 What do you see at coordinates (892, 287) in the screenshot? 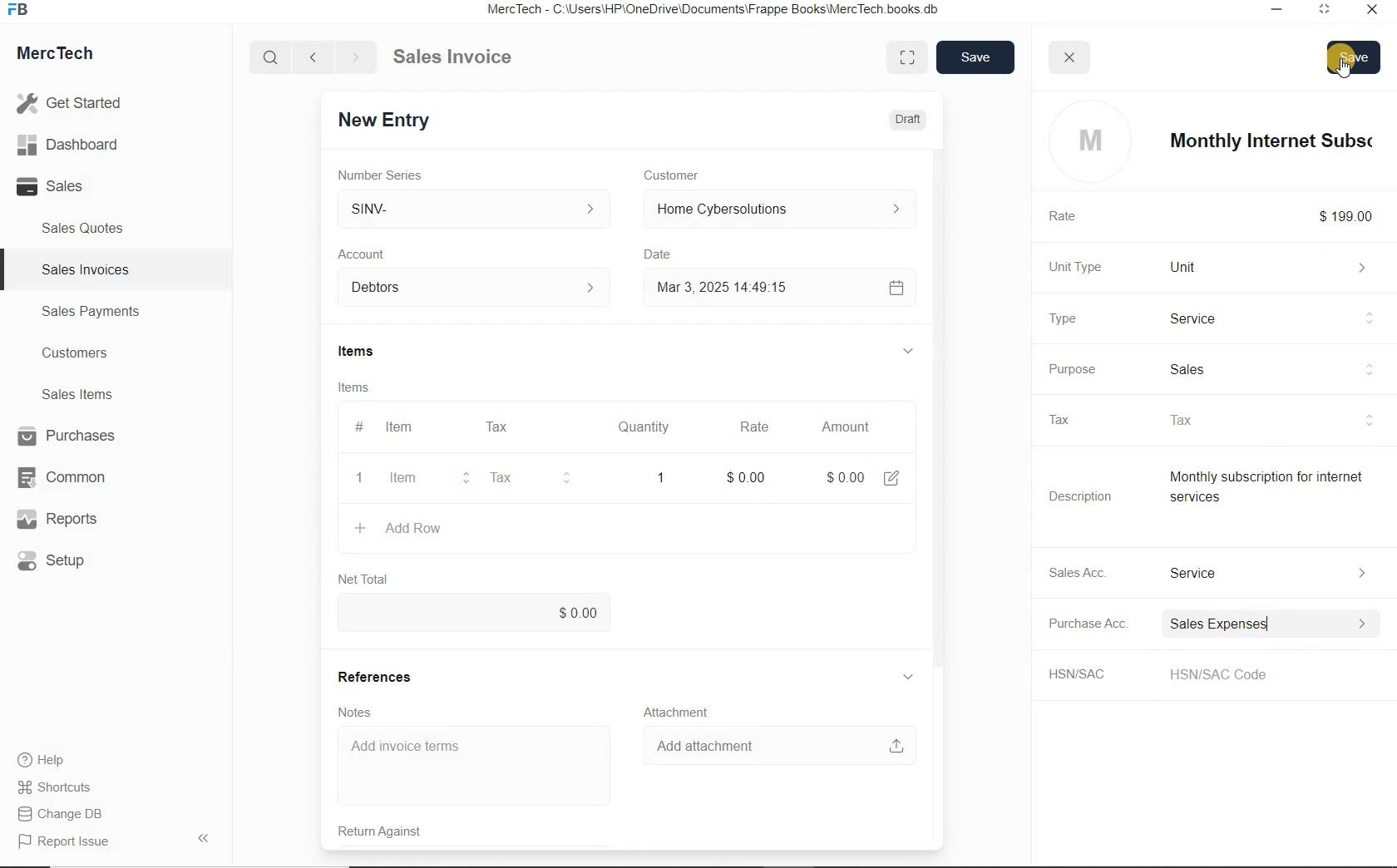
I see `Calendar` at bounding box center [892, 287].